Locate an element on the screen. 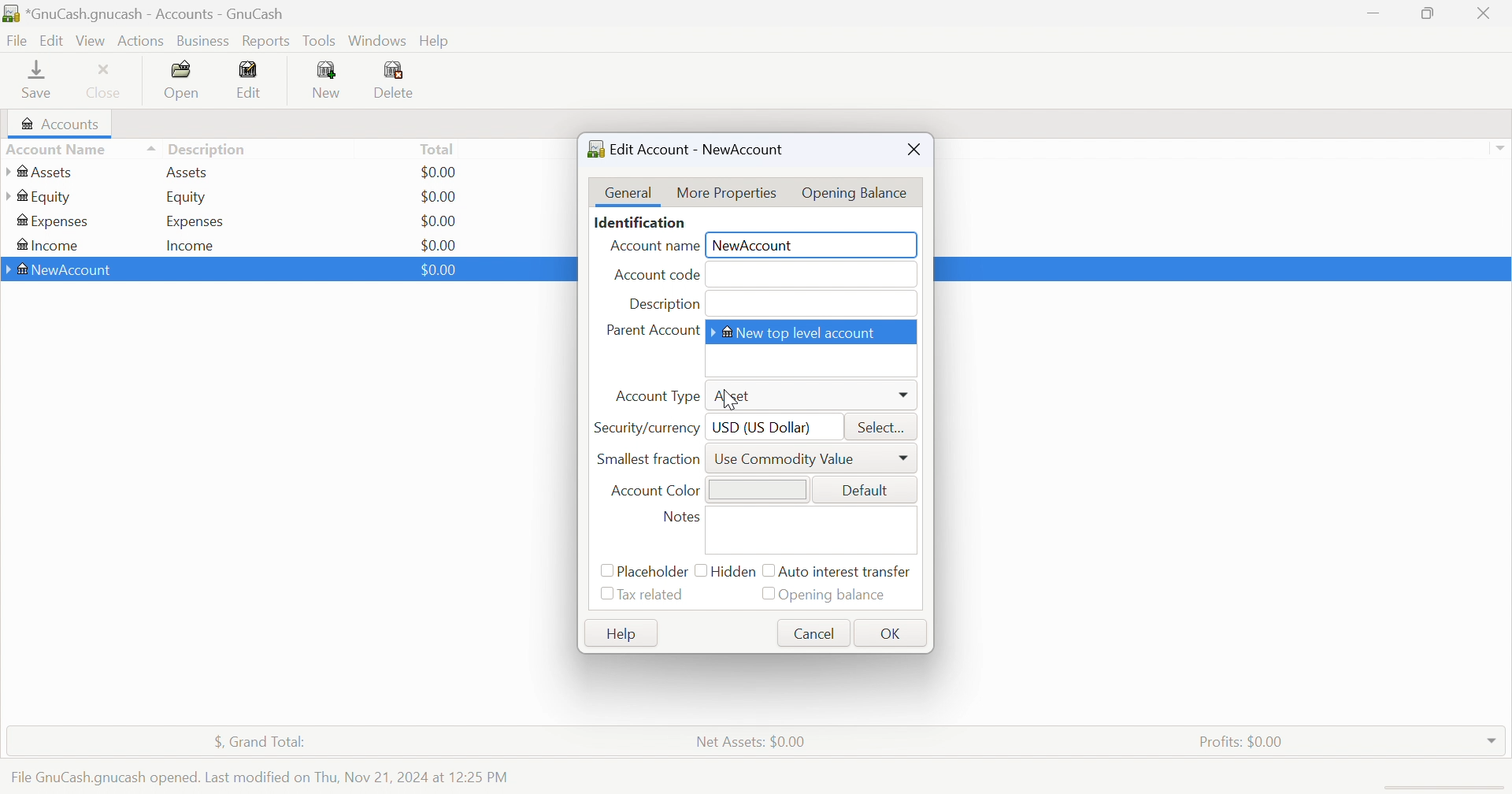 This screenshot has width=1512, height=794. Checkbox is located at coordinates (603, 595).